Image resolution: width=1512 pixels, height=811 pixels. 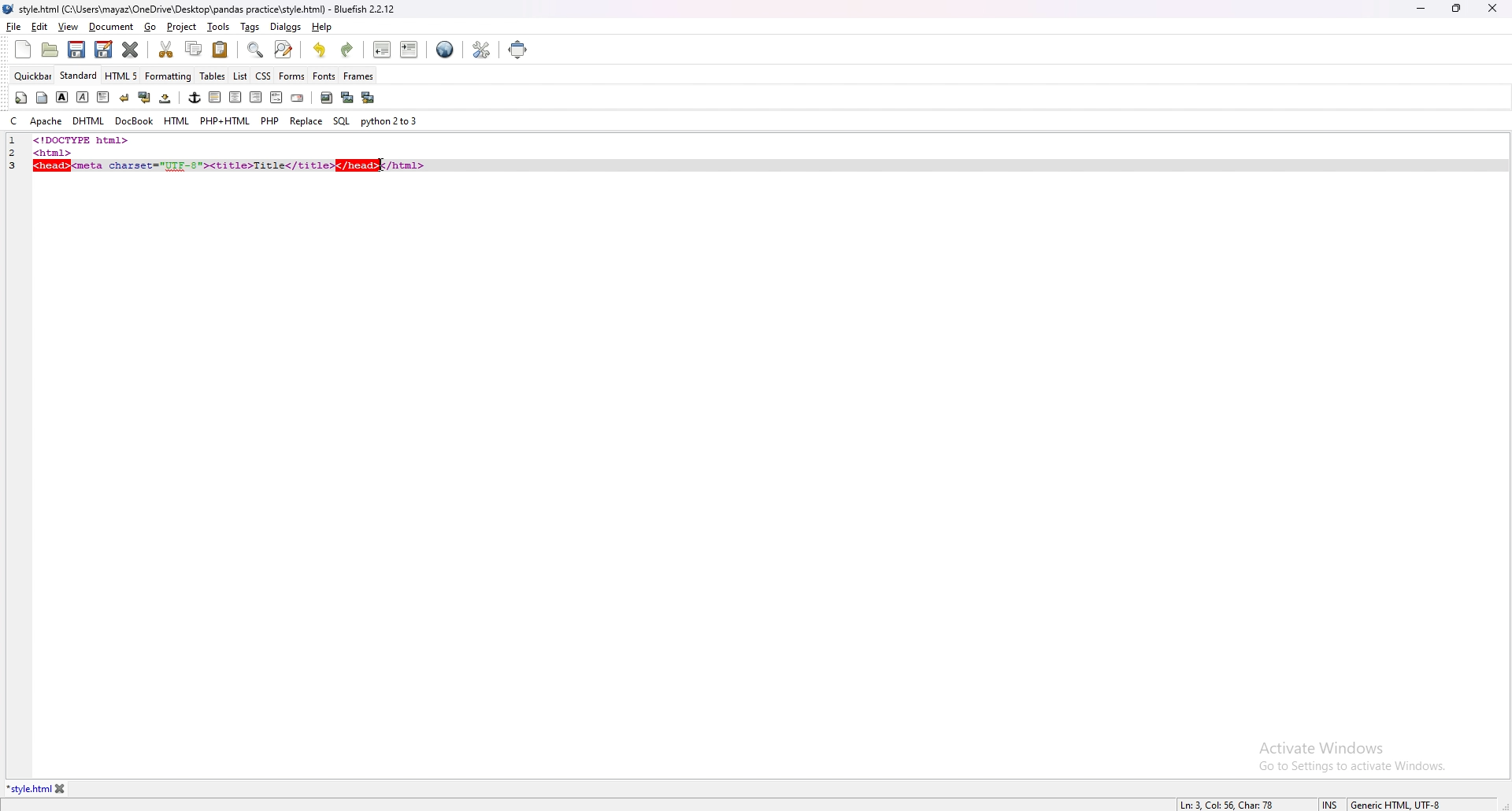 I want to click on close current tab, so click(x=132, y=50).